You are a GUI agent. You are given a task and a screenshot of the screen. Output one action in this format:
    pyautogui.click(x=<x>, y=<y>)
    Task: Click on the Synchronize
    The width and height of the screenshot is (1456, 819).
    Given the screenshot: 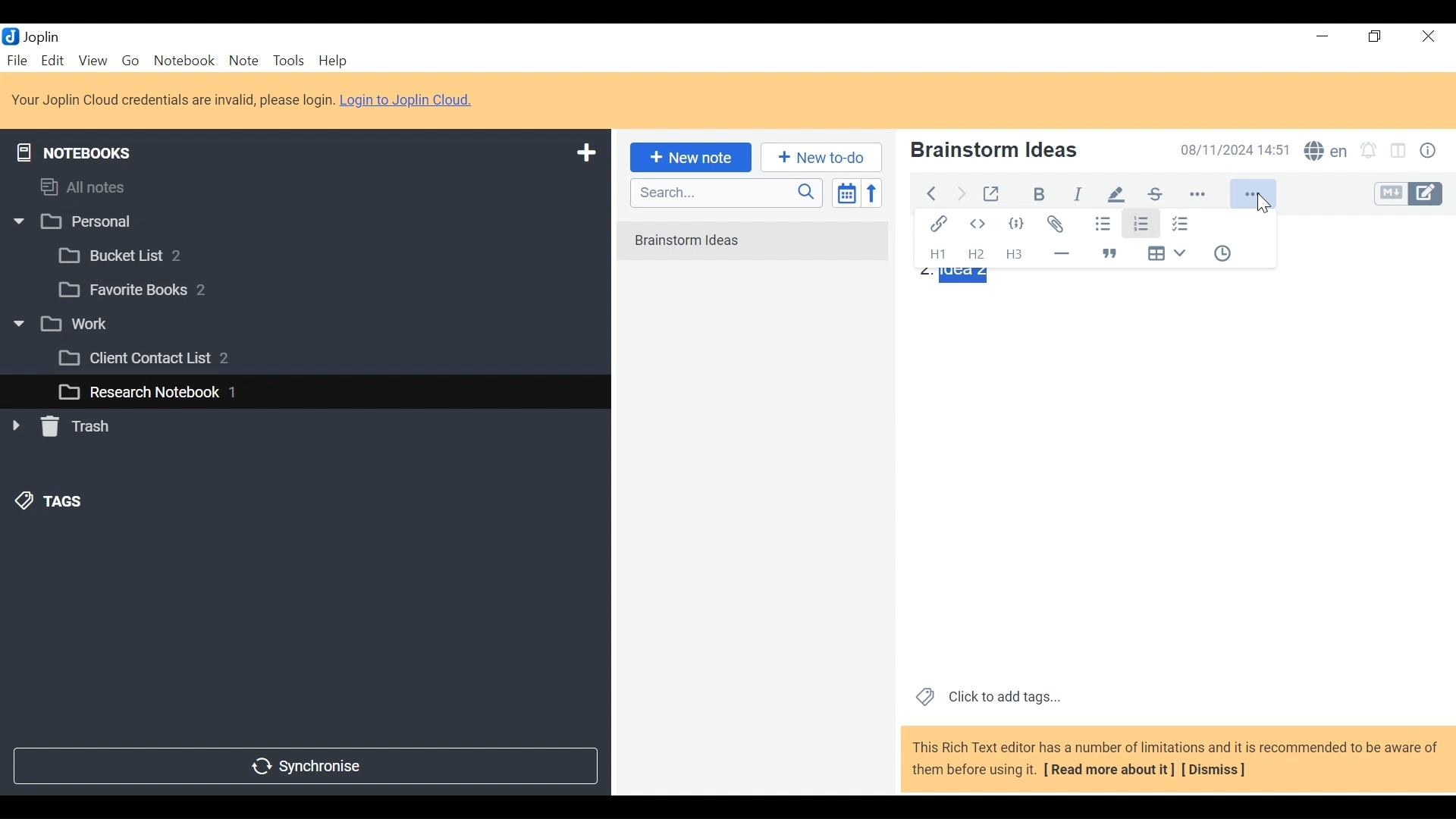 What is the action you would take?
    pyautogui.click(x=304, y=764)
    